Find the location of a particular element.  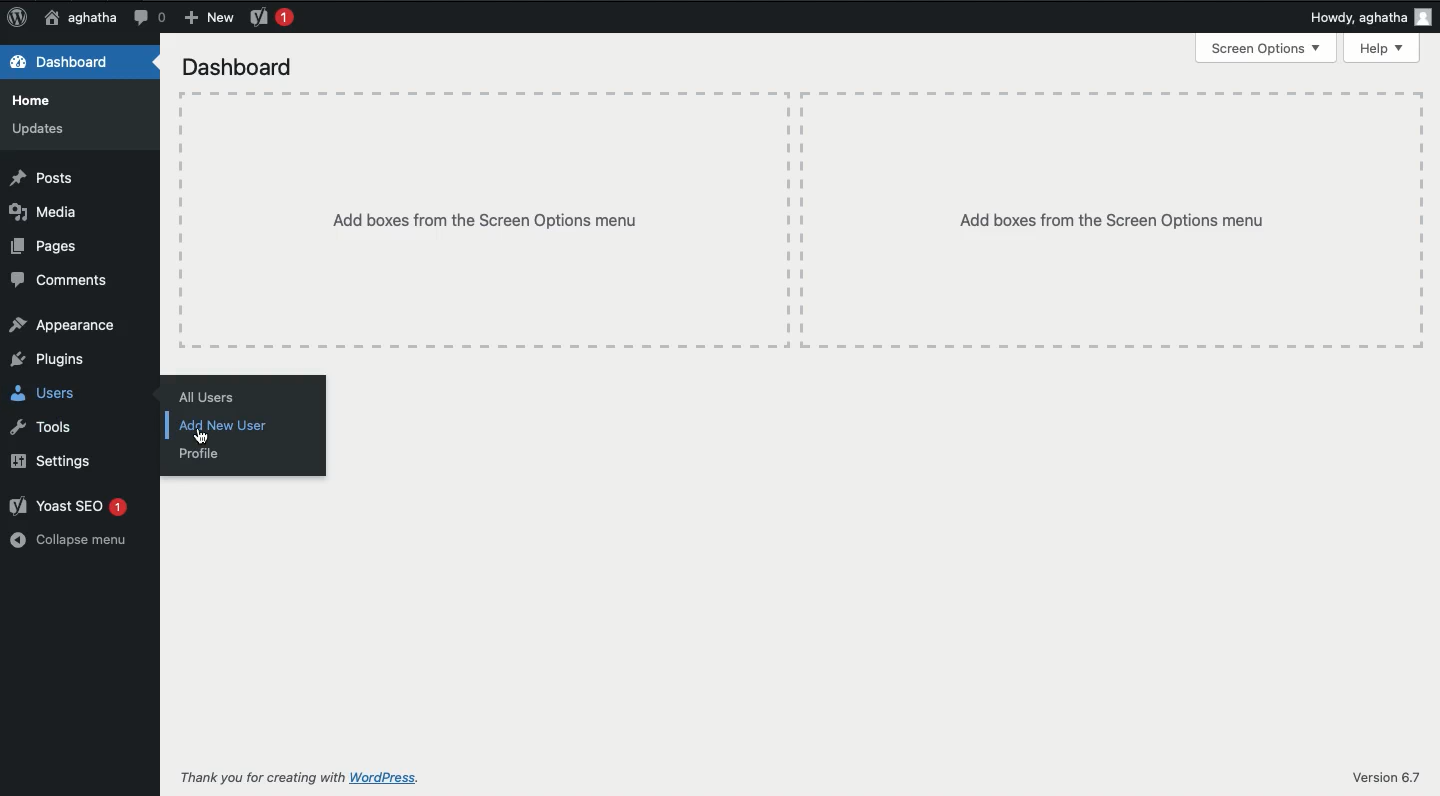

Dashboard is located at coordinates (238, 65).